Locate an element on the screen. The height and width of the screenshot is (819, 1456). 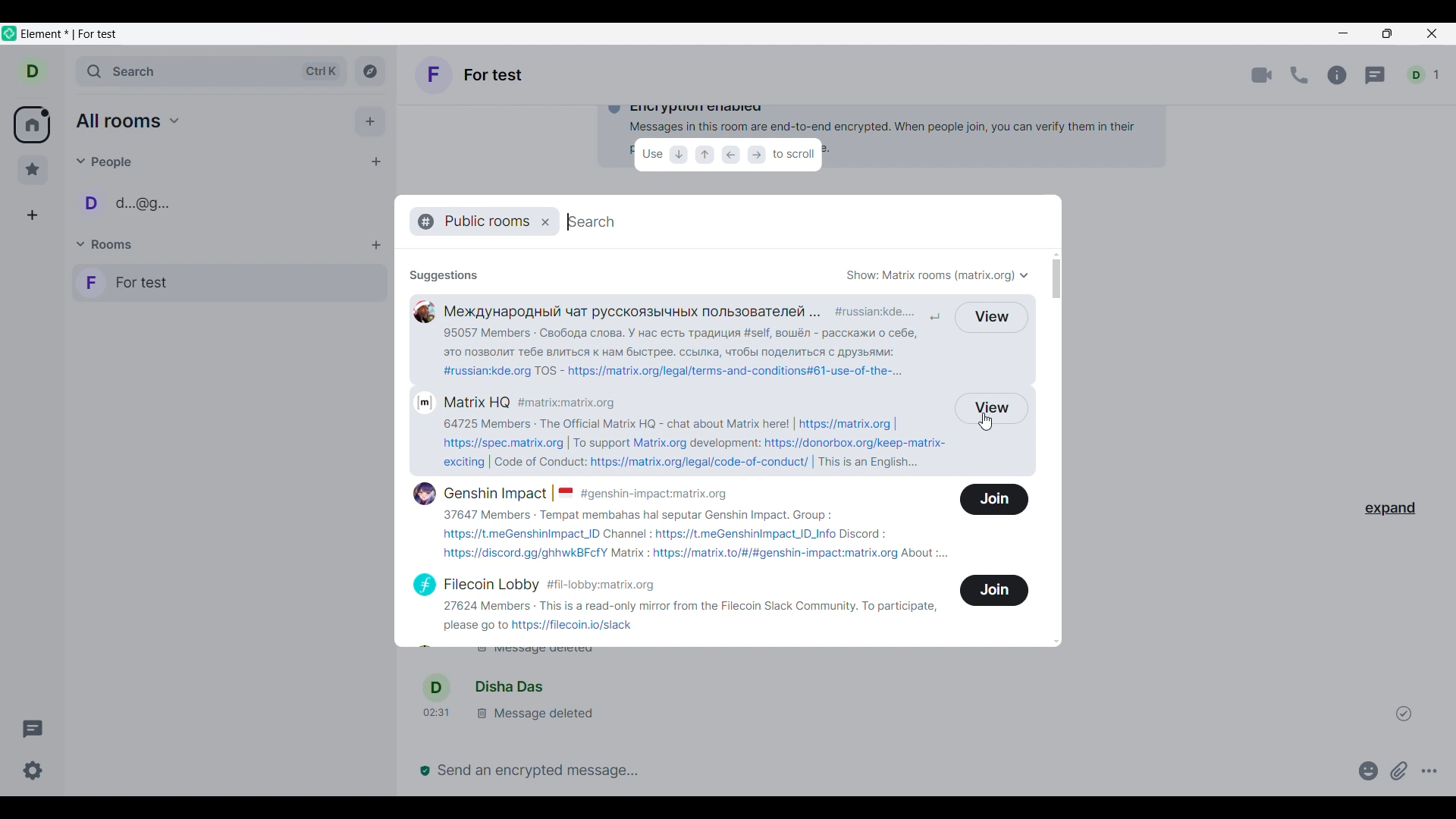
Rooms is located at coordinates (106, 243).